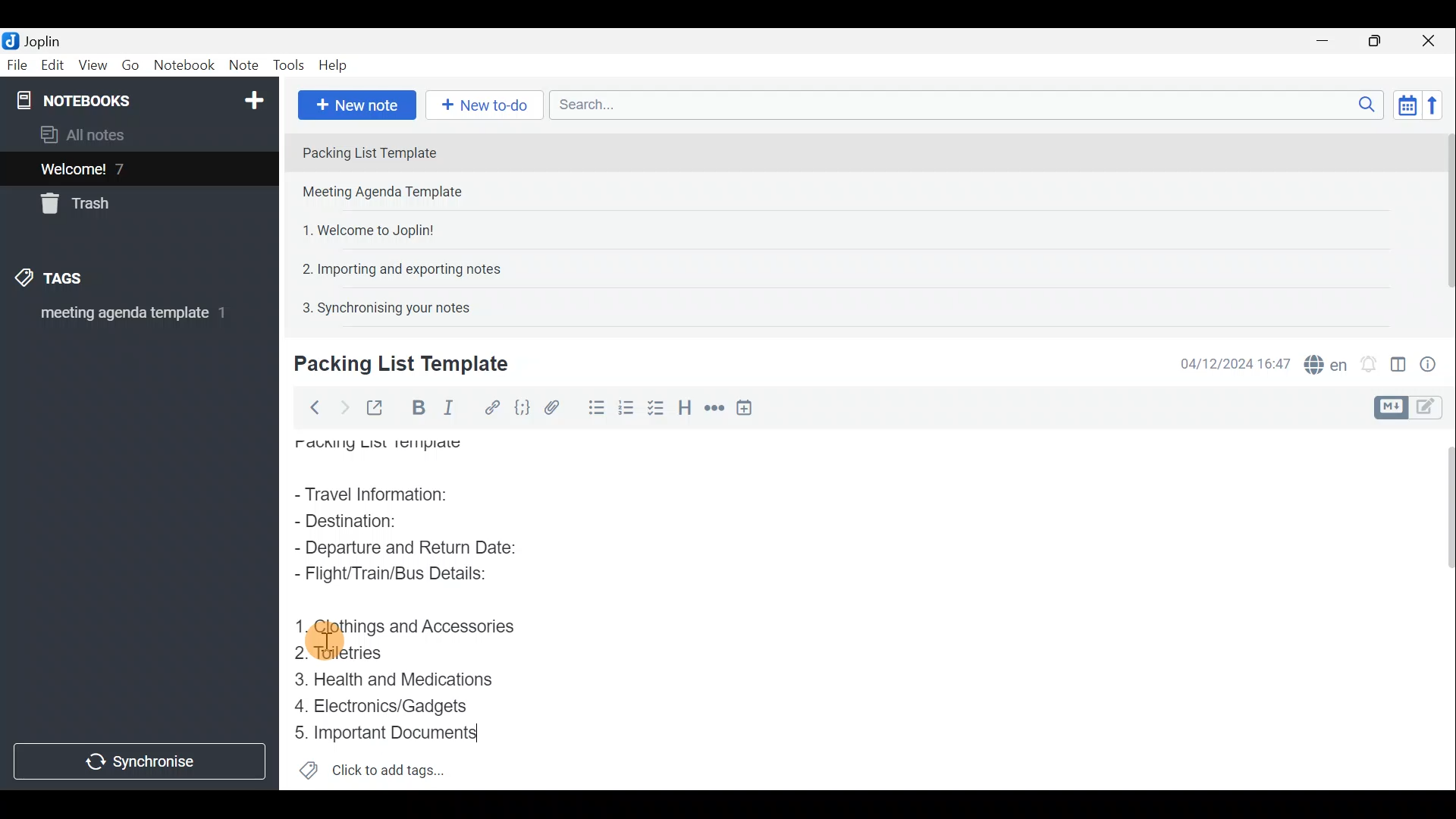 The height and width of the screenshot is (819, 1456). I want to click on meeting agenda template, so click(130, 318).